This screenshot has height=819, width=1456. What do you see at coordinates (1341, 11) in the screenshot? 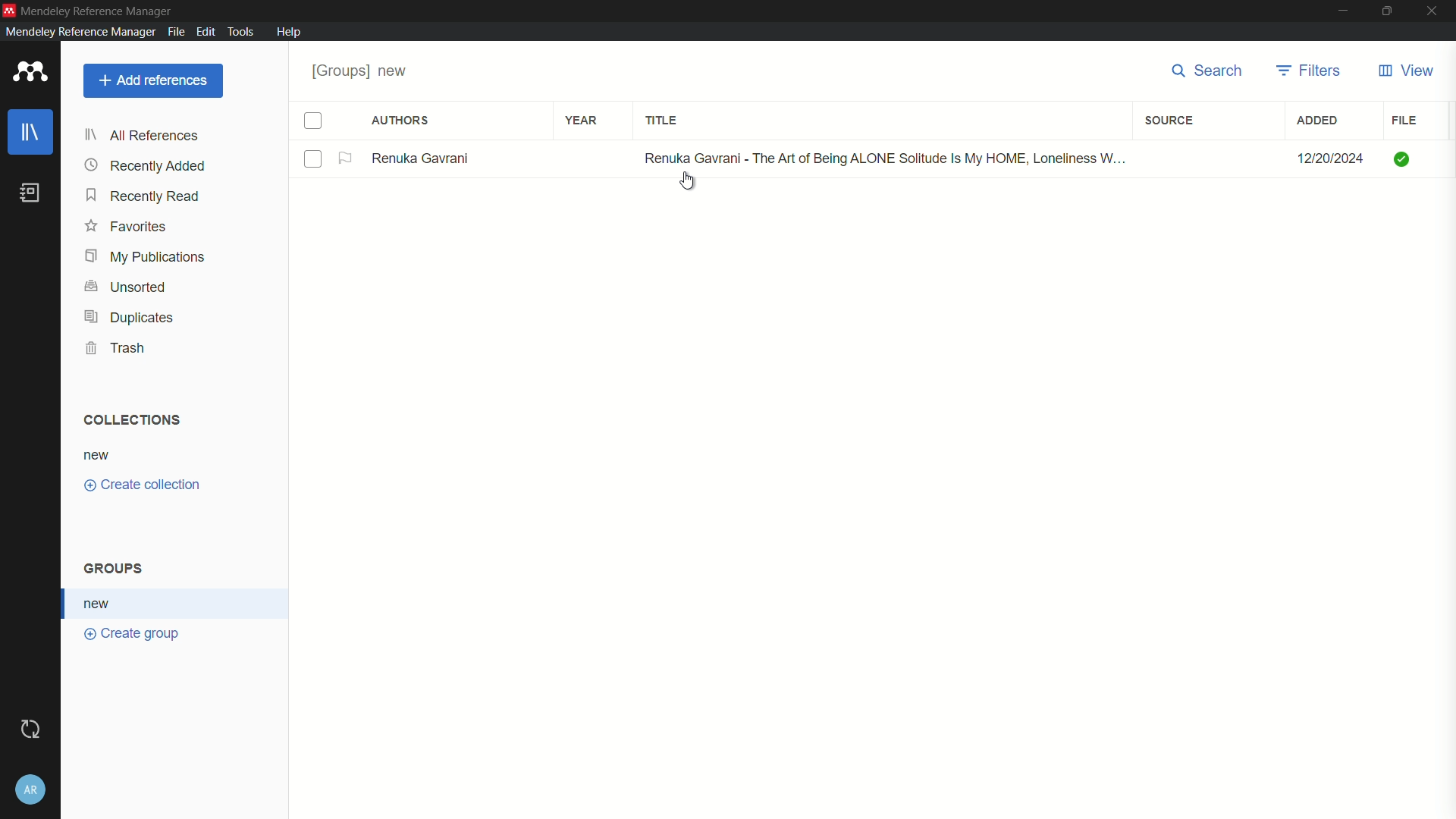
I see `minimize` at bounding box center [1341, 11].